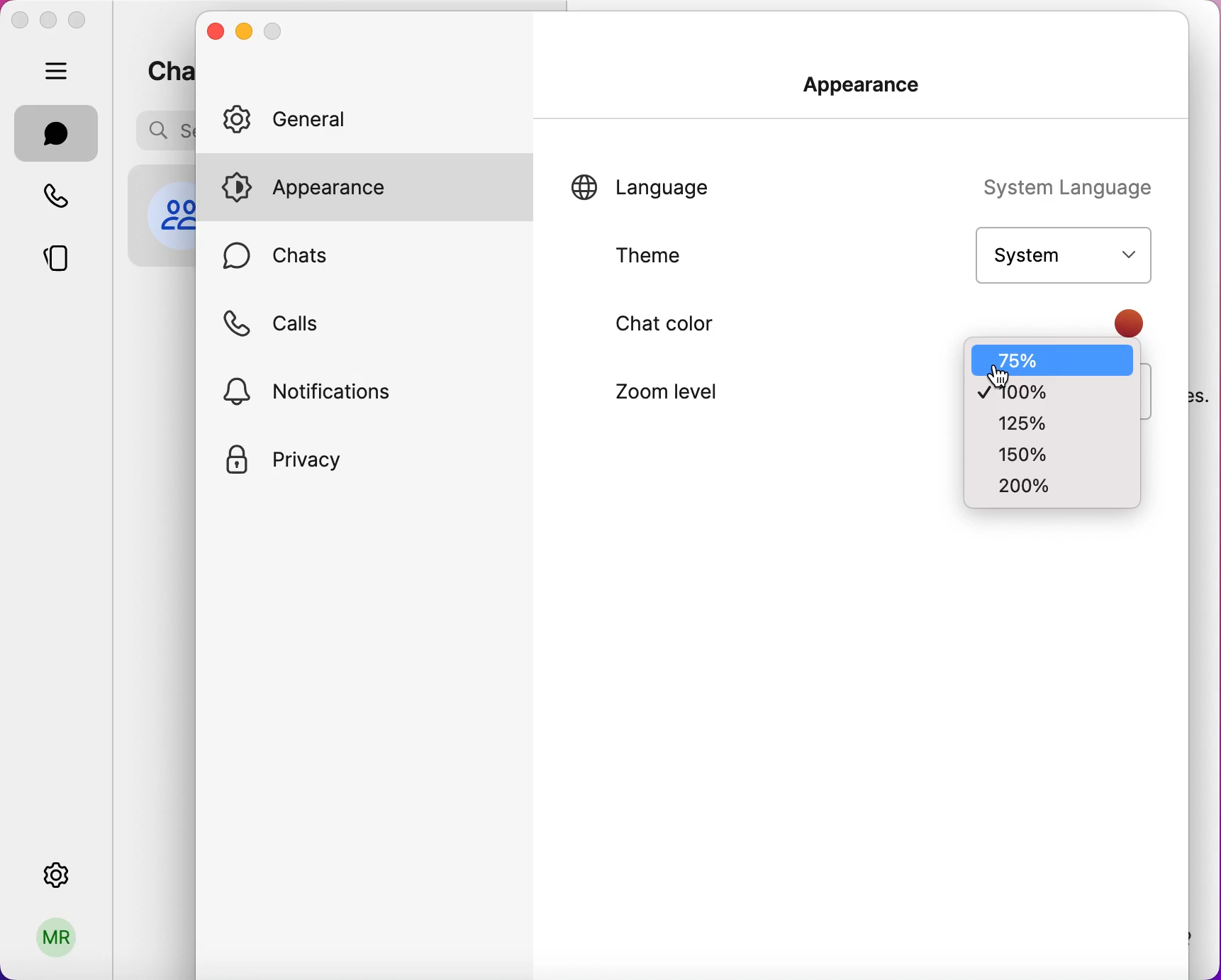  What do you see at coordinates (52, 72) in the screenshot?
I see `hide bar` at bounding box center [52, 72].